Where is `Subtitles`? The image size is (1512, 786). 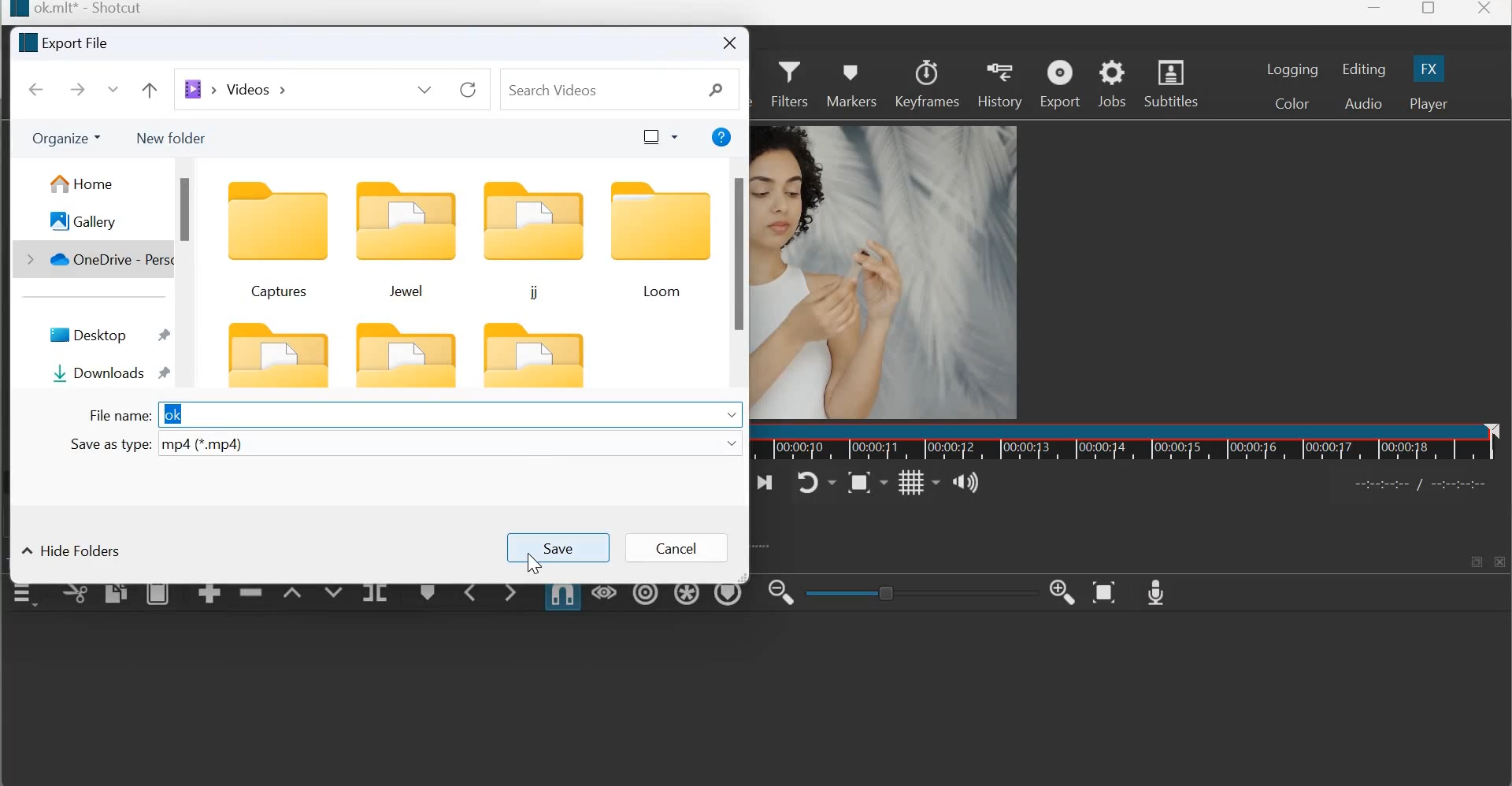 Subtitles is located at coordinates (1176, 82).